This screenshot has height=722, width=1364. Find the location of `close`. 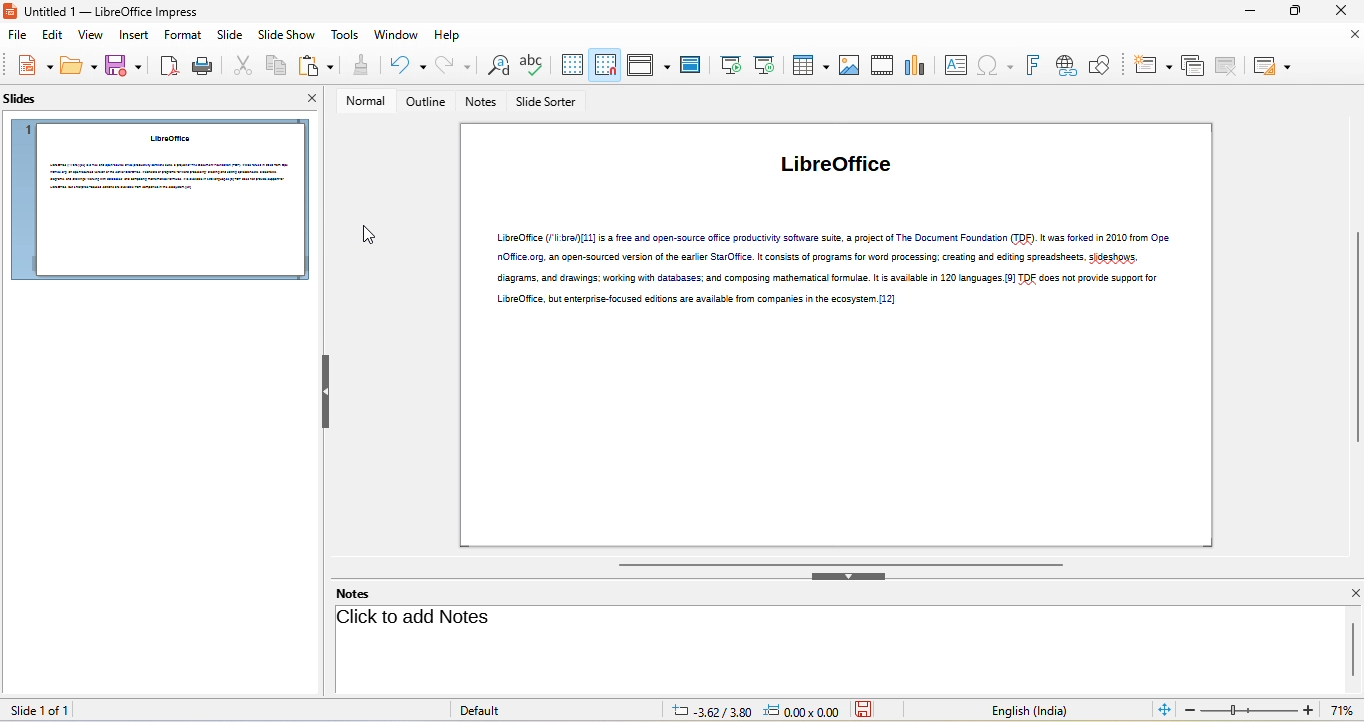

close is located at coordinates (1350, 593).